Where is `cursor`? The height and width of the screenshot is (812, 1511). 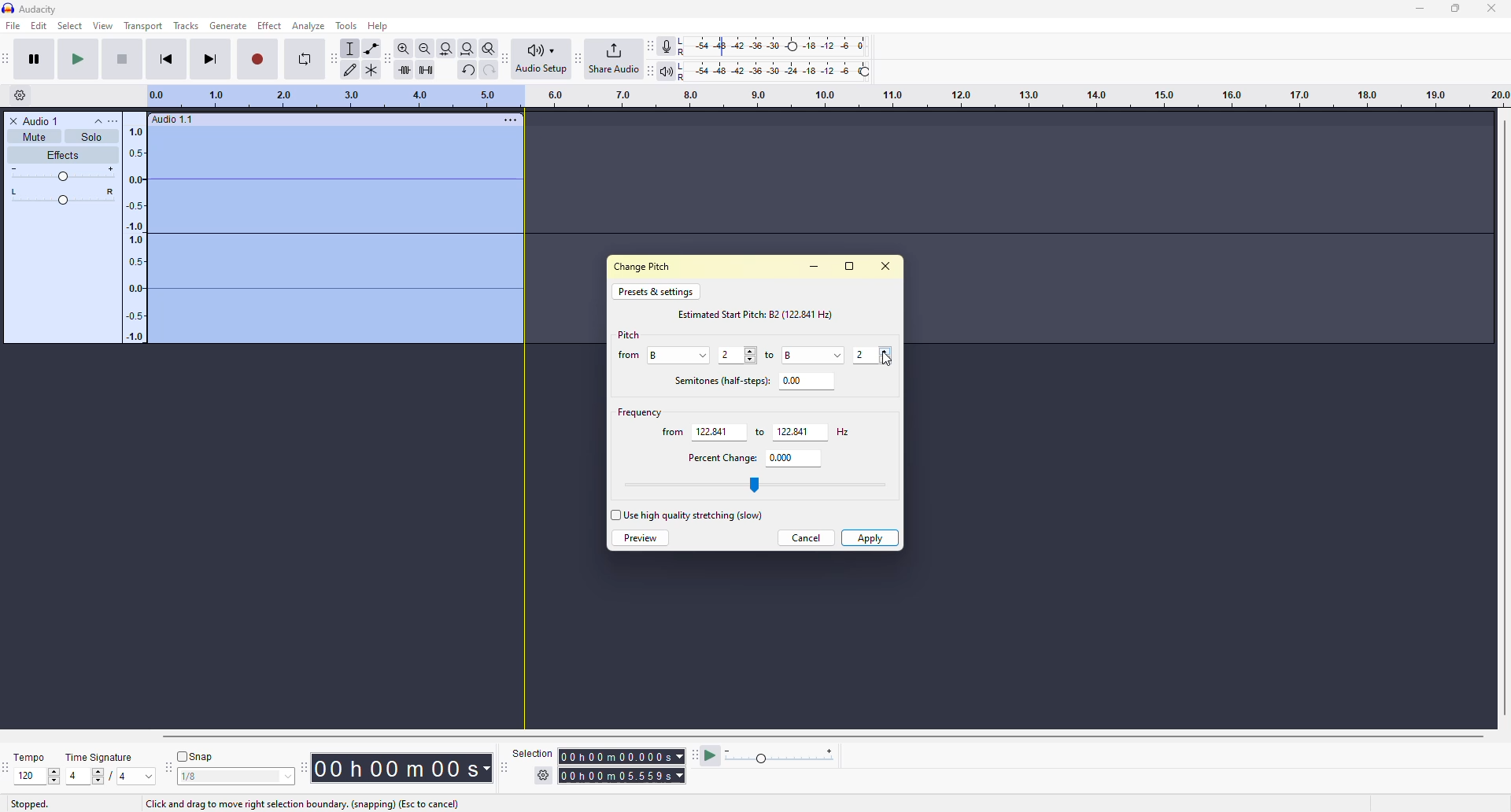 cursor is located at coordinates (889, 366).